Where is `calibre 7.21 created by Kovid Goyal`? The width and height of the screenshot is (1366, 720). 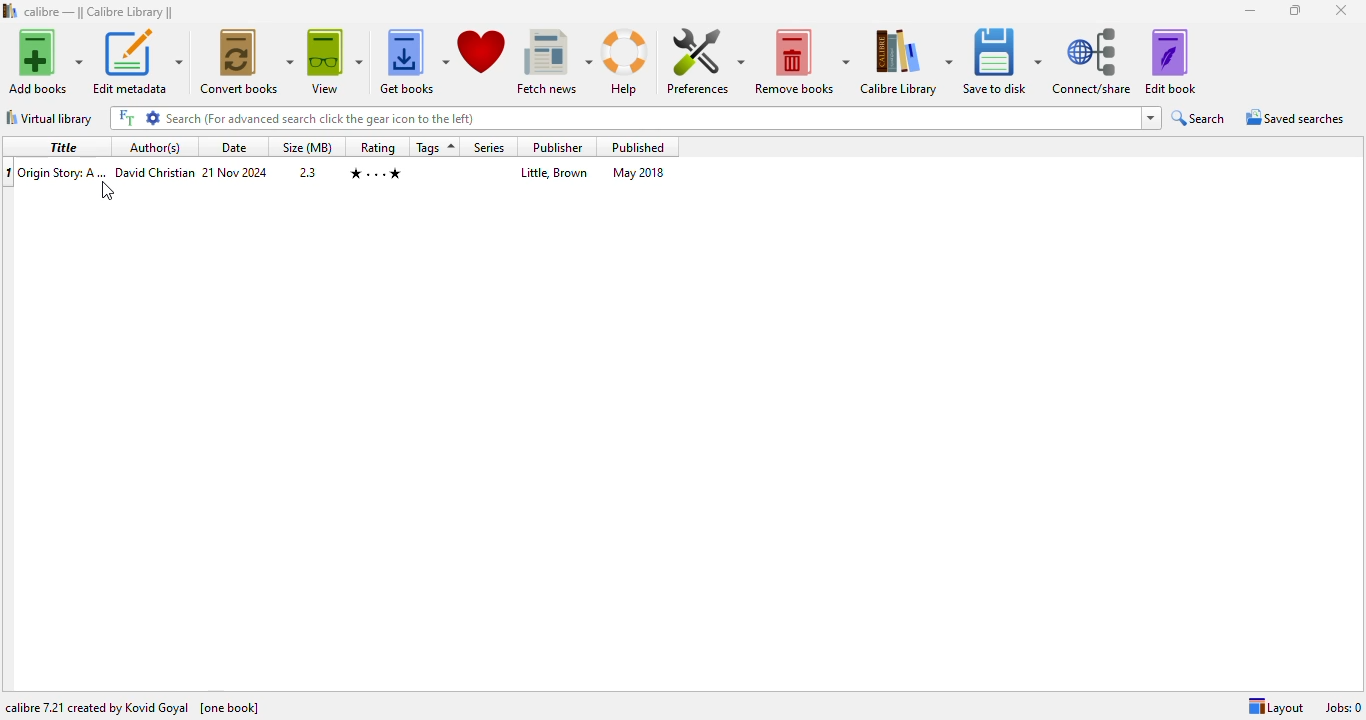 calibre 7.21 created by Kovid Goyal is located at coordinates (98, 707).